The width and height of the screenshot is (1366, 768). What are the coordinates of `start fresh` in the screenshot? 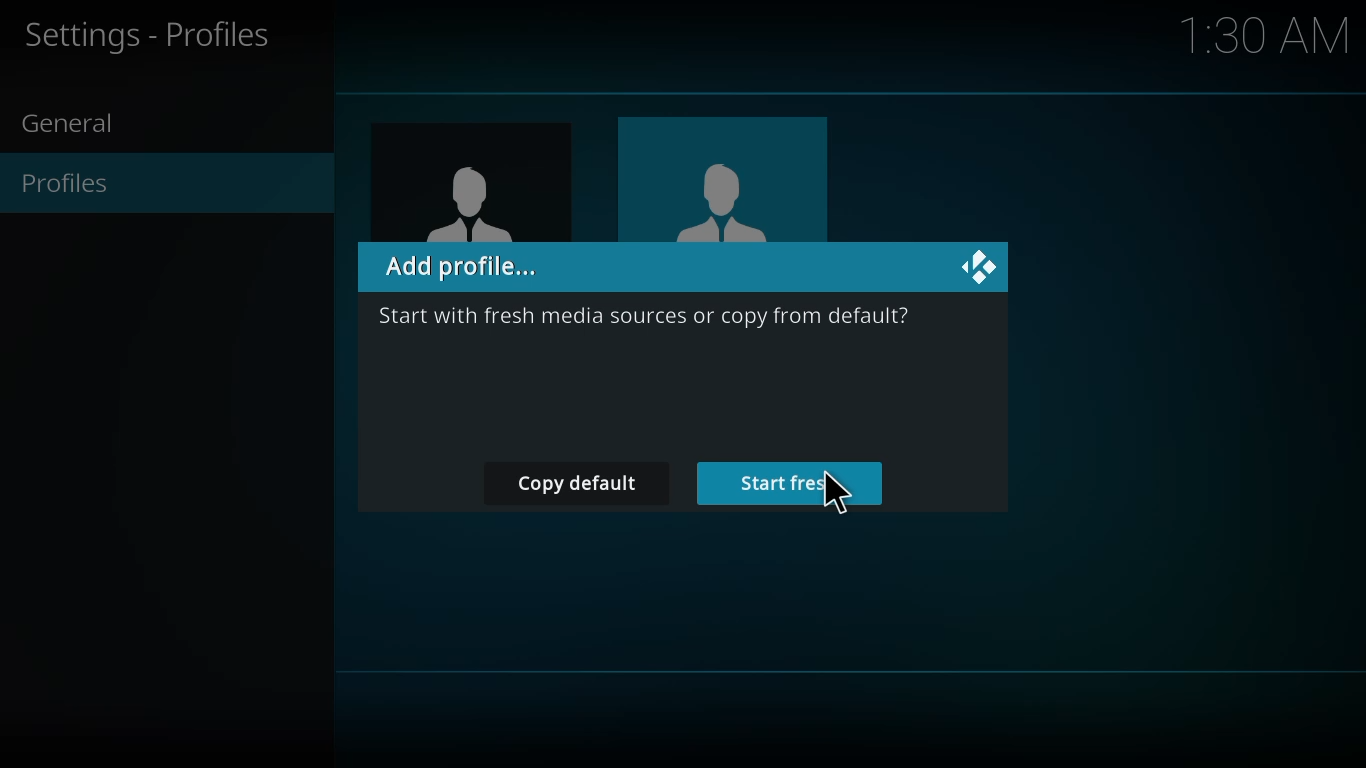 It's located at (795, 484).